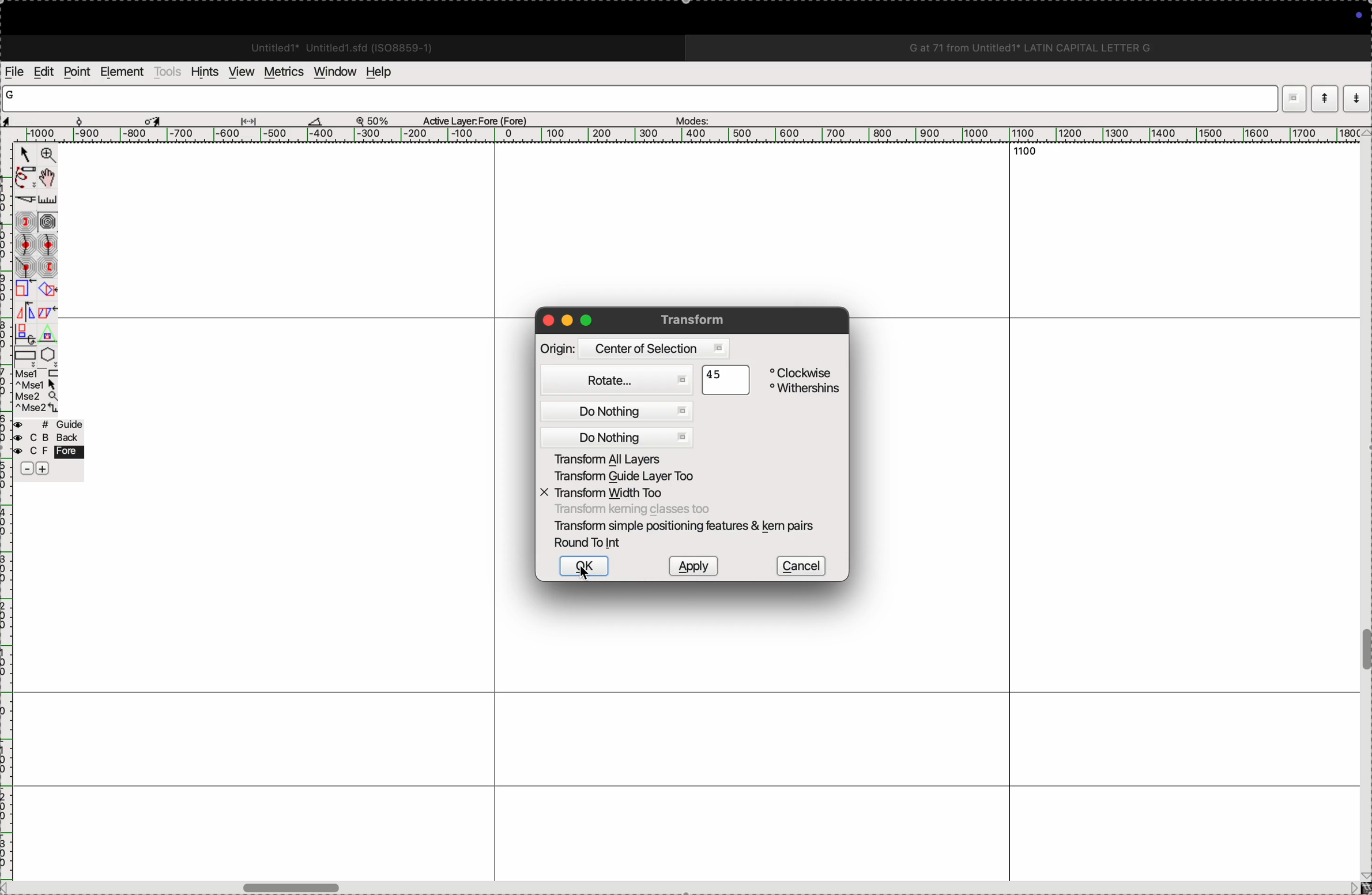  Describe the element at coordinates (726, 382) in the screenshot. I see `45` at that location.